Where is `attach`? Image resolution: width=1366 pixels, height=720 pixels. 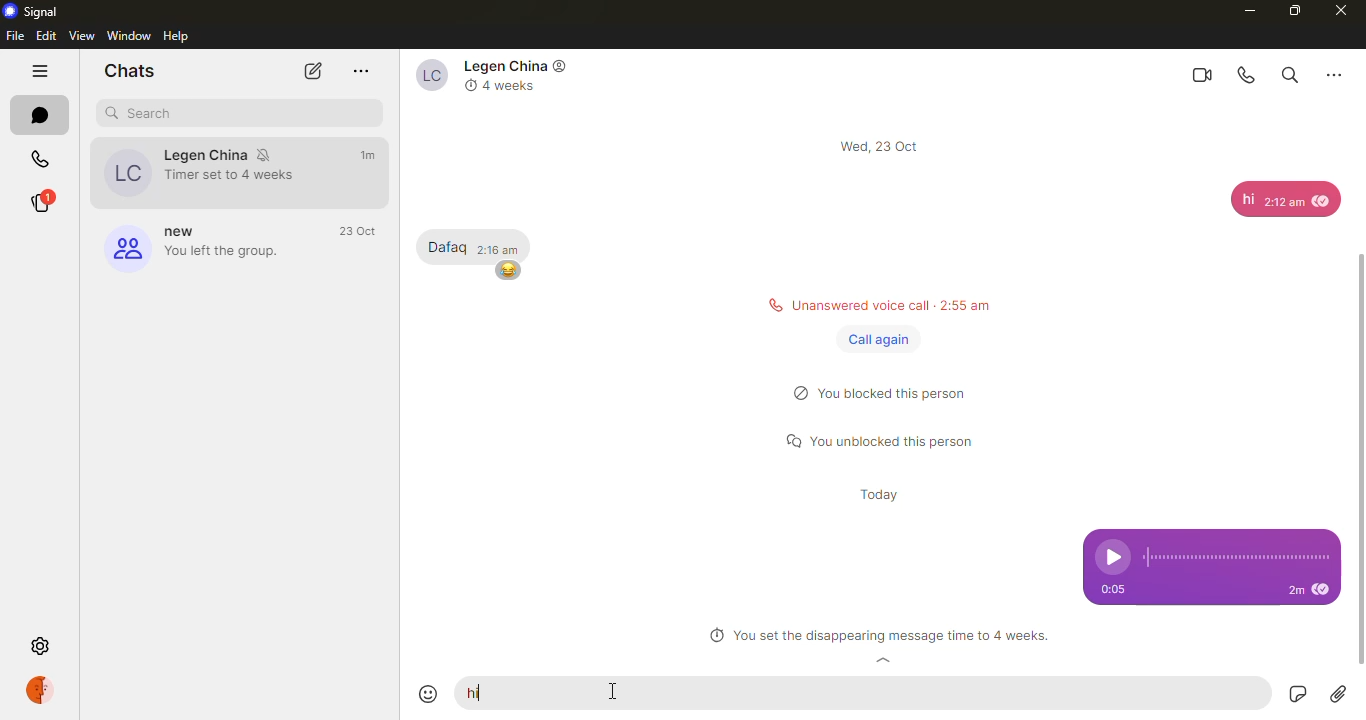 attach is located at coordinates (1338, 694).